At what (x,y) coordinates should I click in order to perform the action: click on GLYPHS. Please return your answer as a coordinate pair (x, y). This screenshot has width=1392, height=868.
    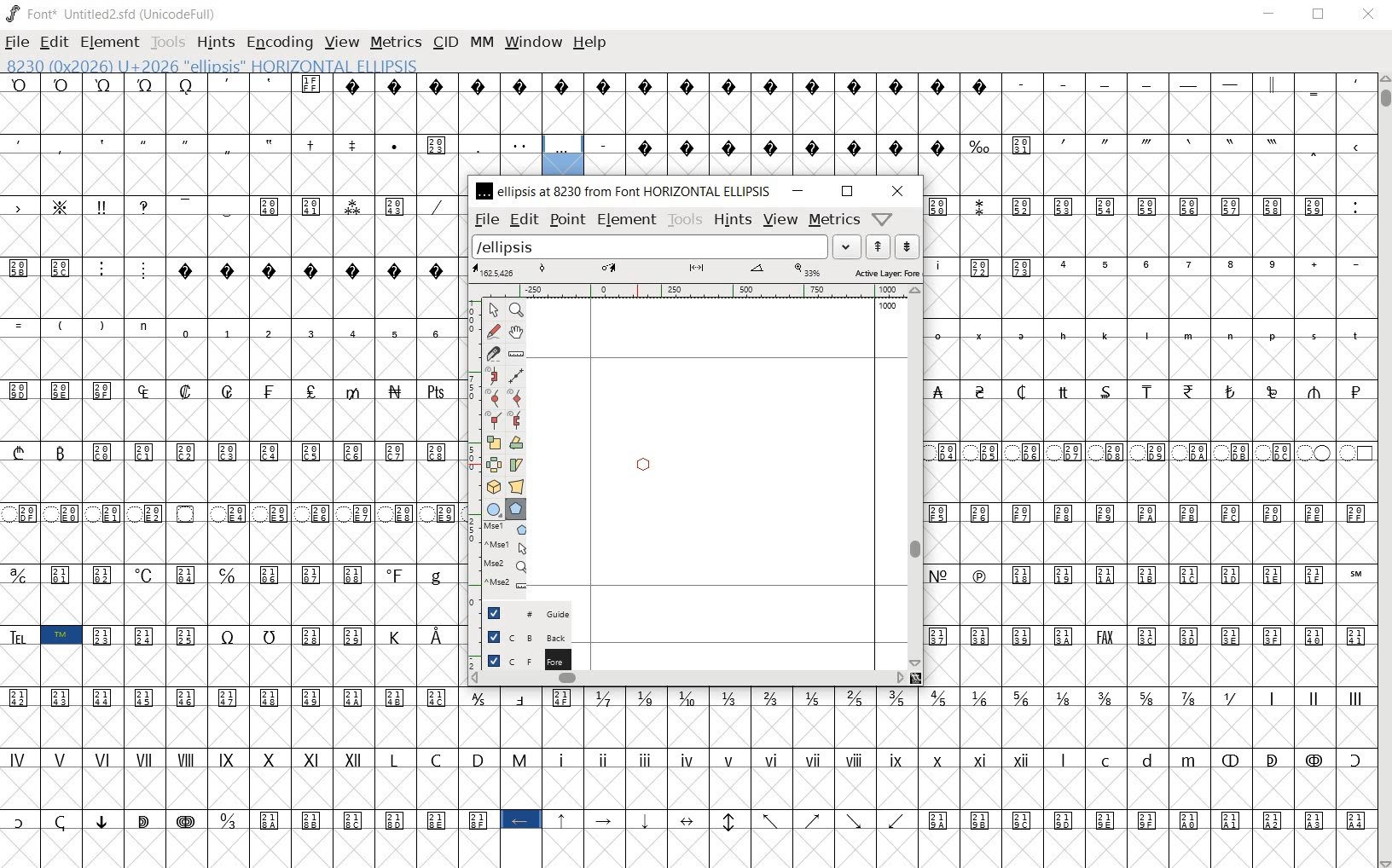
    Looking at the image, I should click on (225, 469).